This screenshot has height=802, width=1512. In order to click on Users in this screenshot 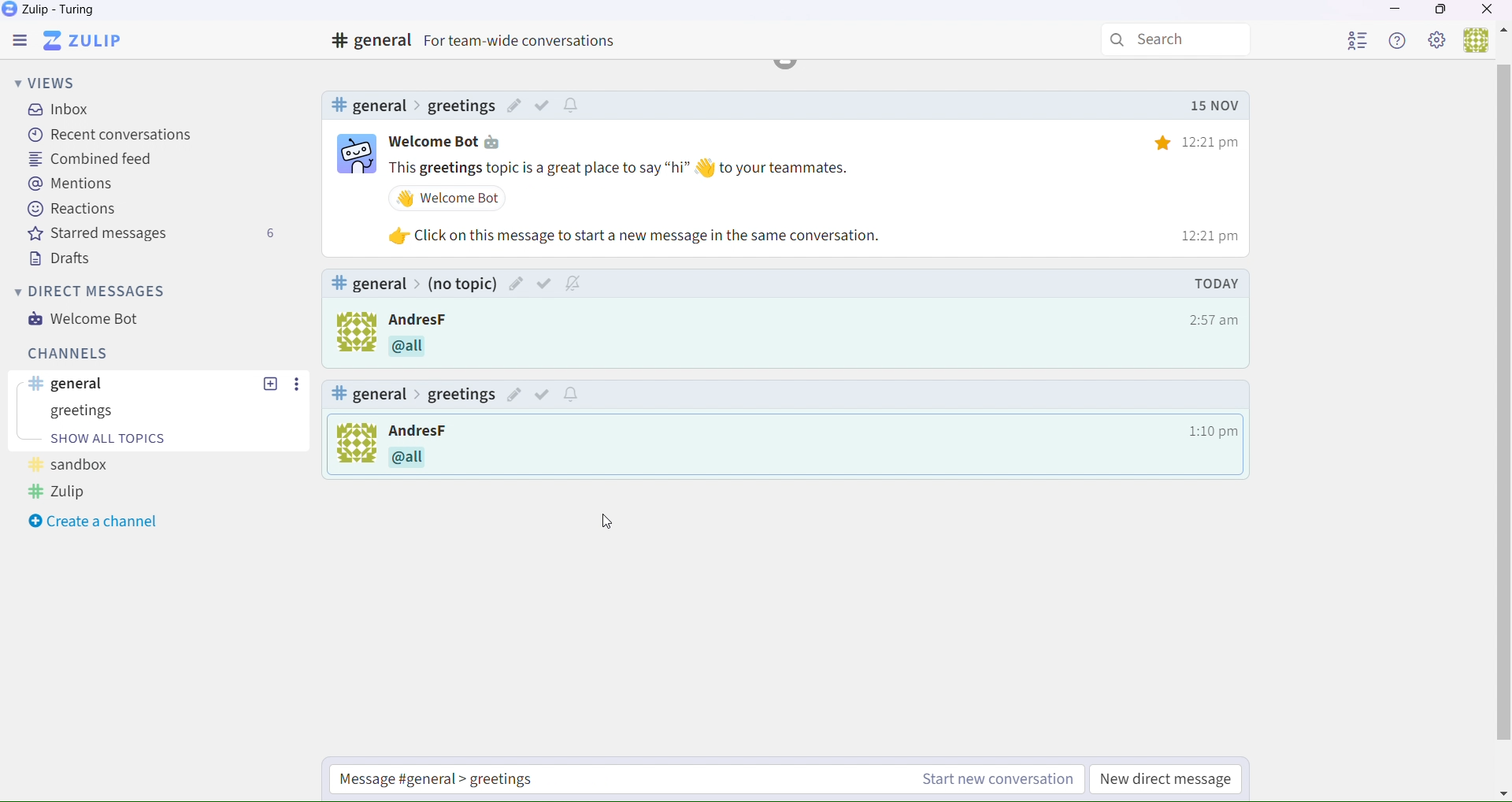, I will do `click(1476, 41)`.